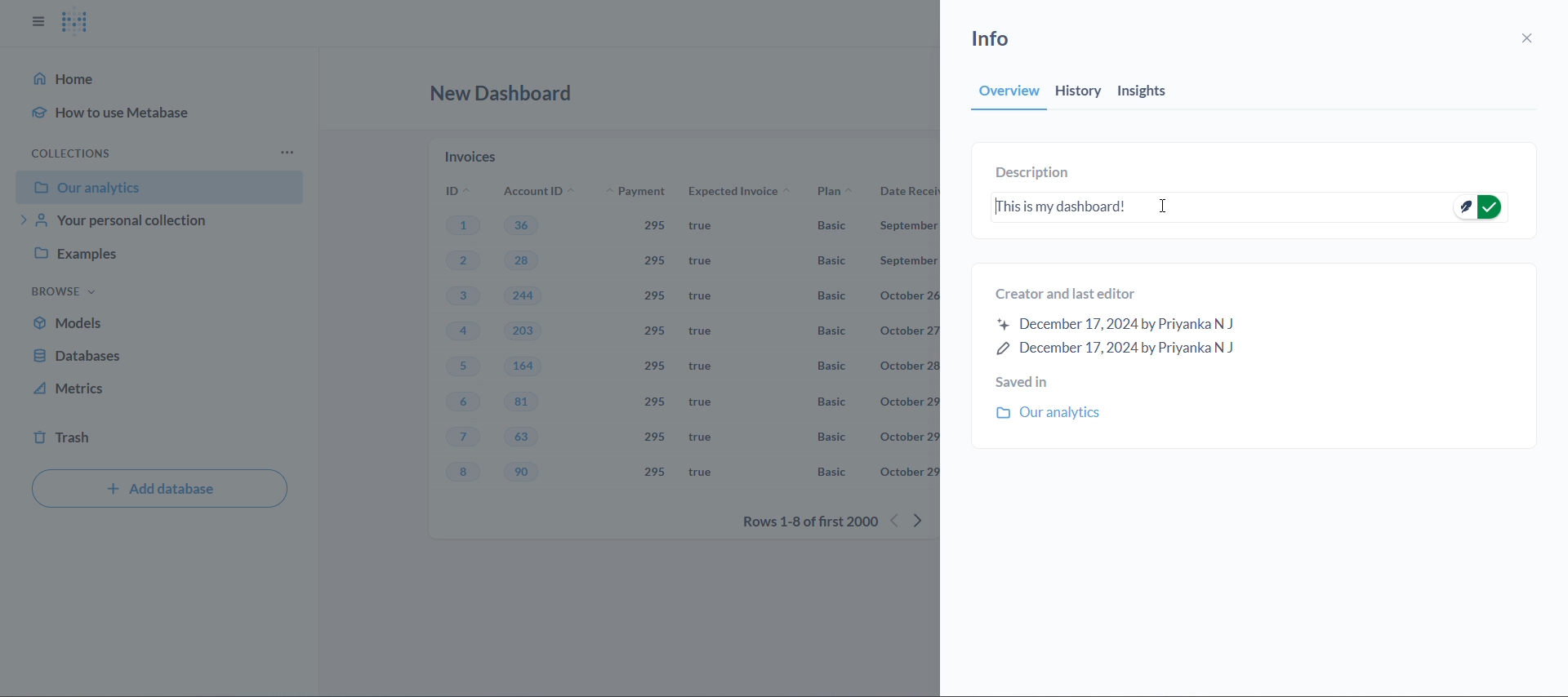 This screenshot has width=1568, height=697. What do you see at coordinates (710, 261) in the screenshot?
I see `true` at bounding box center [710, 261].